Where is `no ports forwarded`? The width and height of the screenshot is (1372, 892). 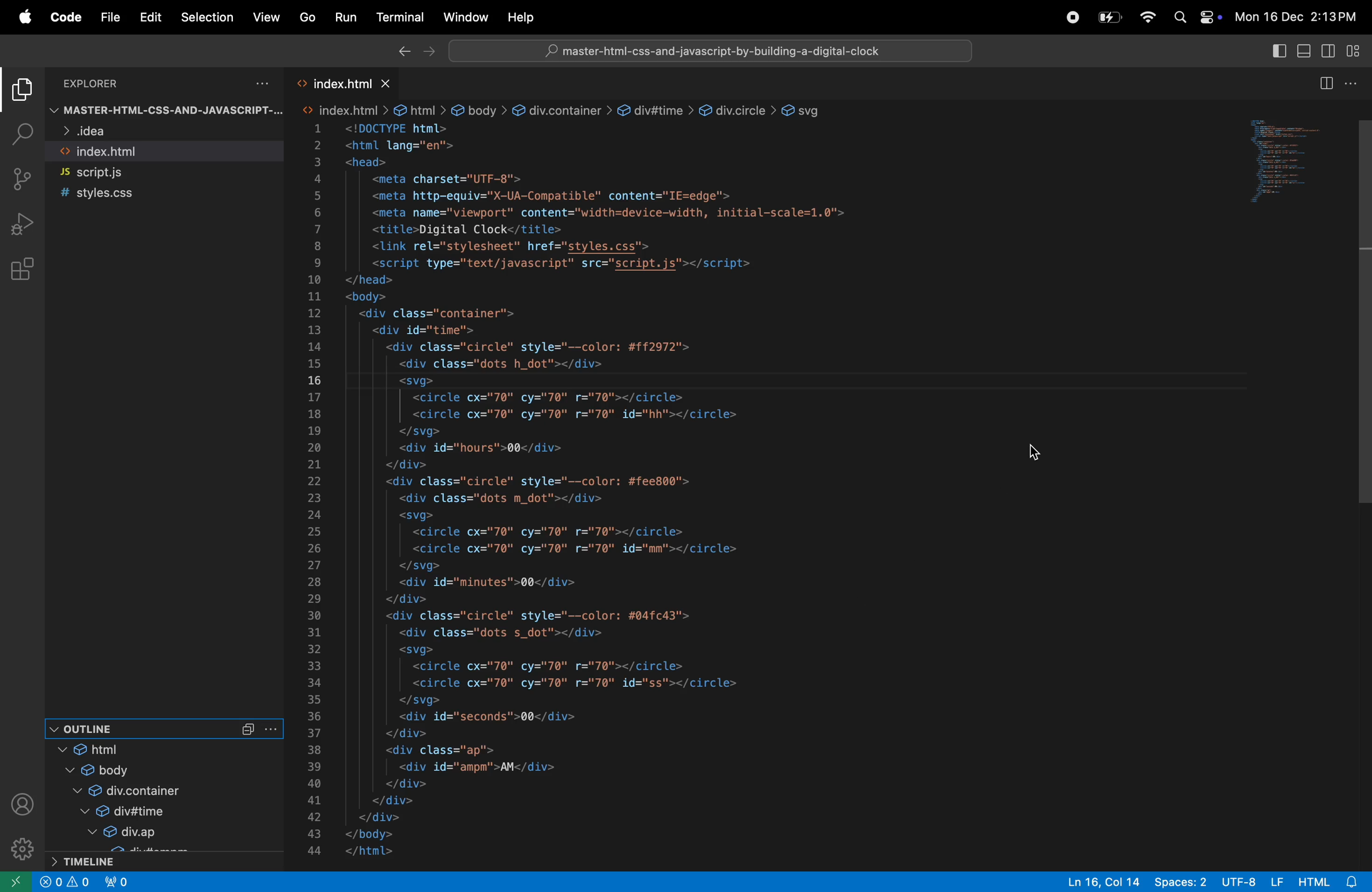
no ports forwarded is located at coordinates (120, 881).